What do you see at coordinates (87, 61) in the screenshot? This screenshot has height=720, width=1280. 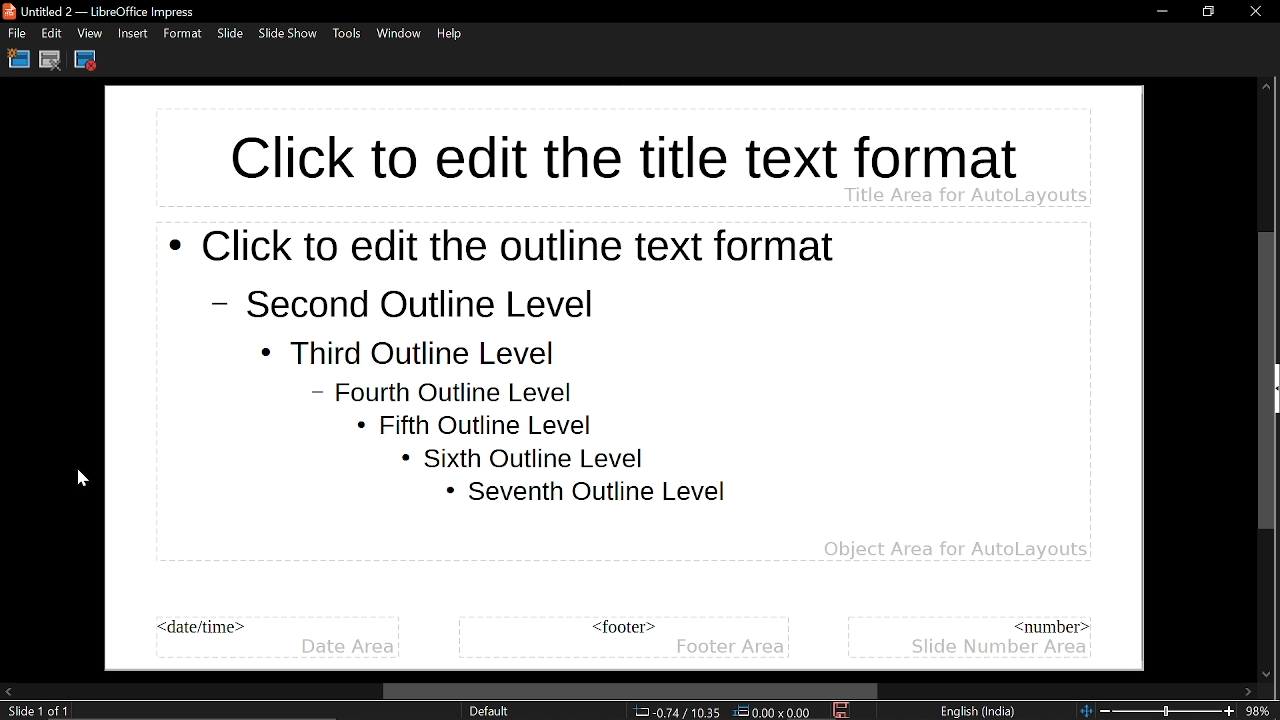 I see `Close Master view` at bounding box center [87, 61].